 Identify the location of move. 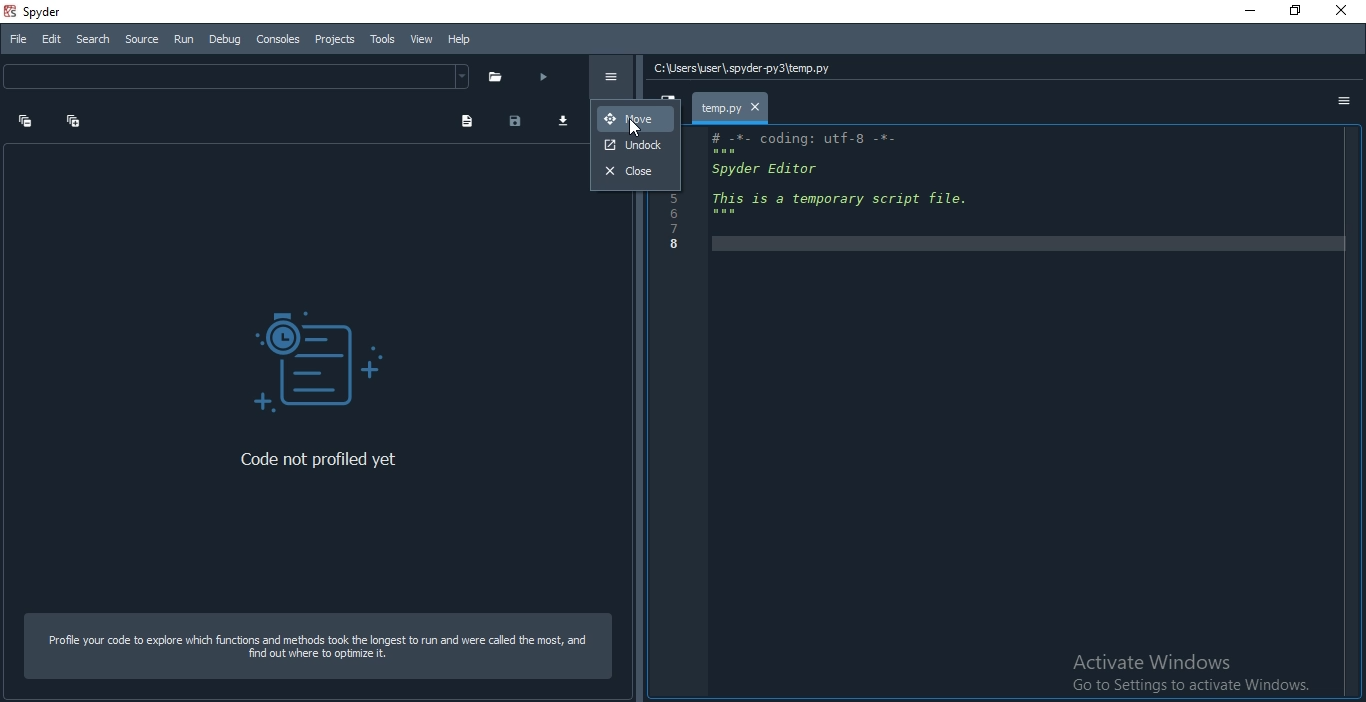
(635, 118).